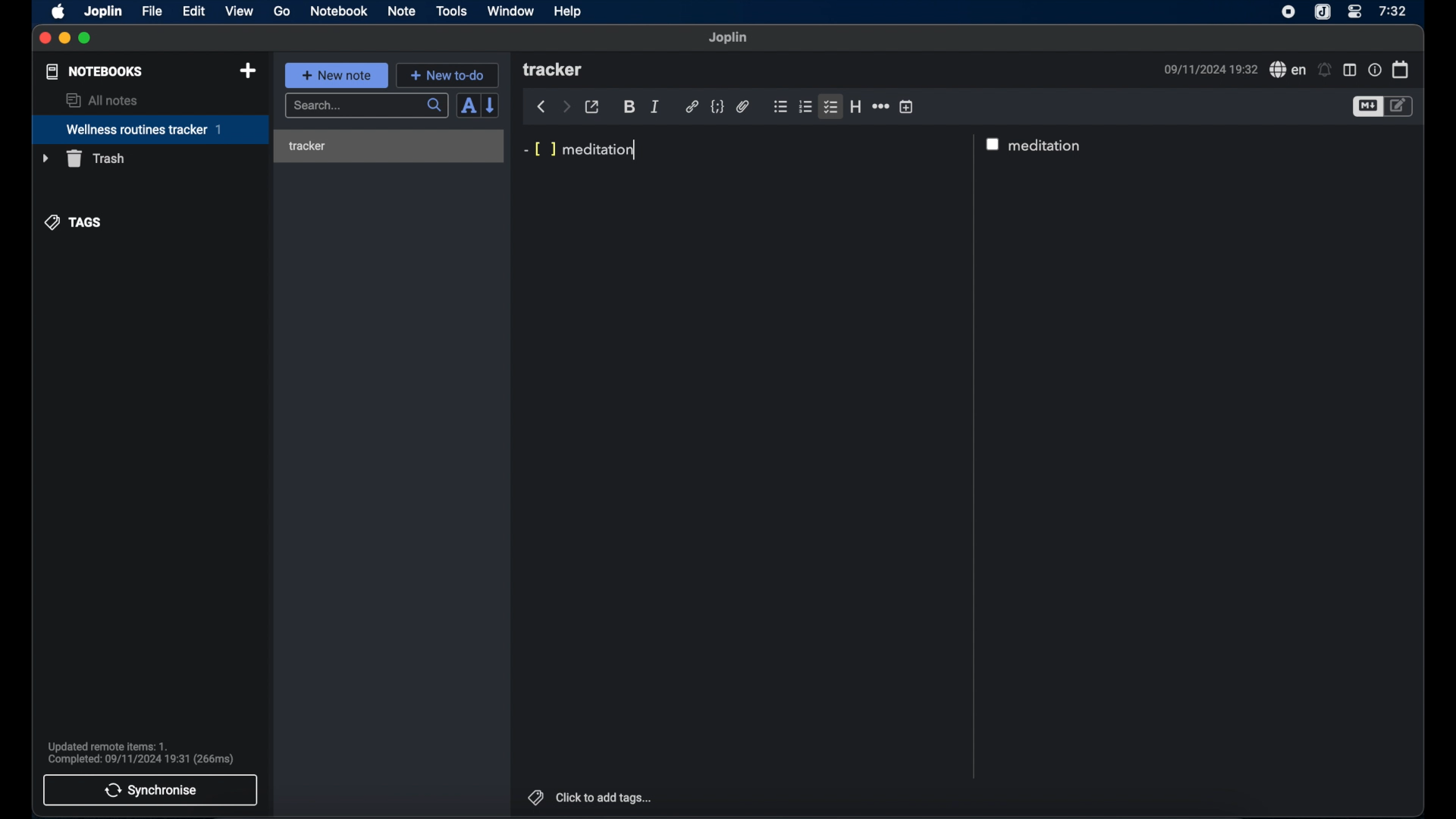  I want to click on -[ ] meditation, so click(582, 151).